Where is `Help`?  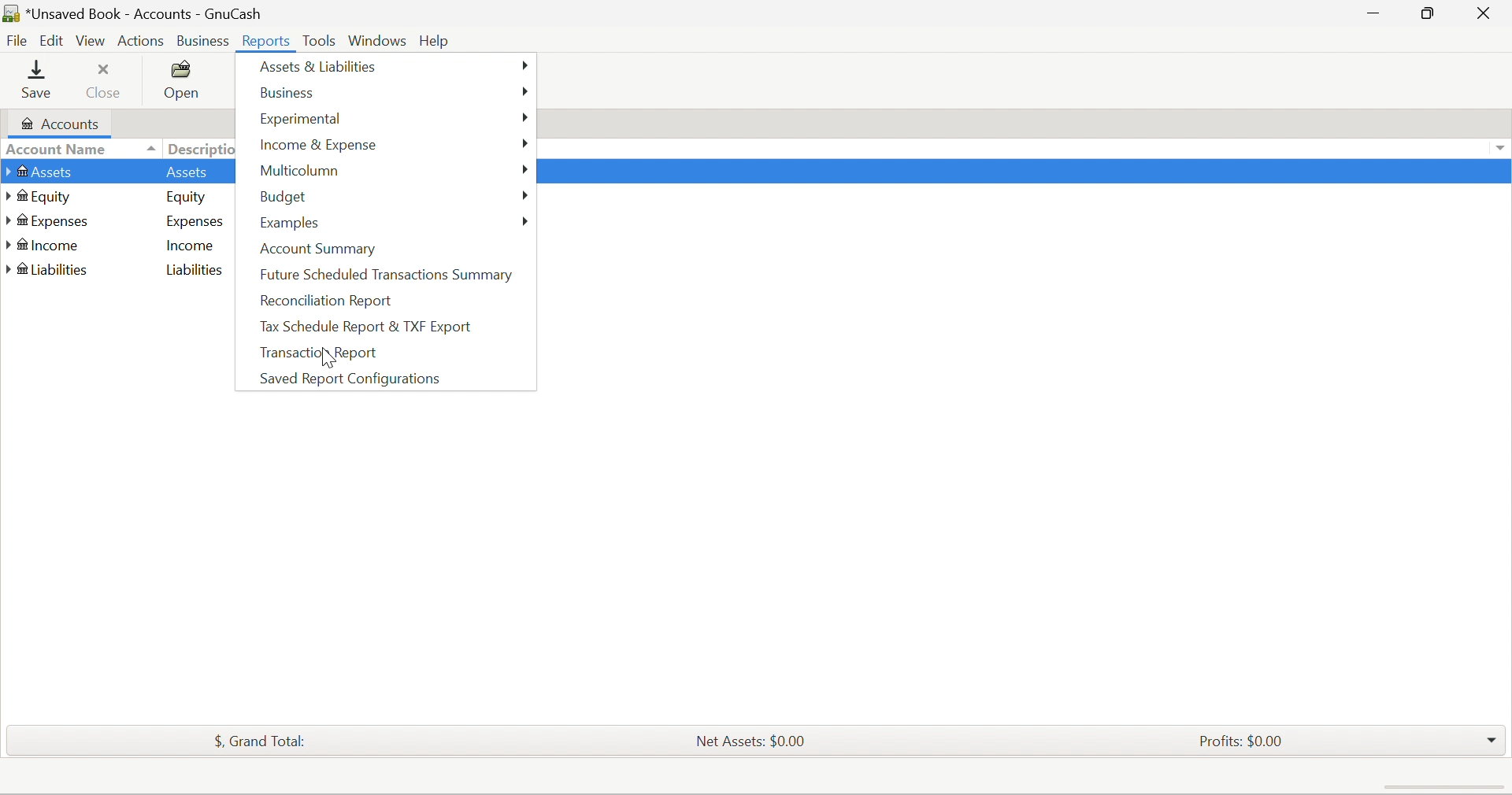
Help is located at coordinates (439, 39).